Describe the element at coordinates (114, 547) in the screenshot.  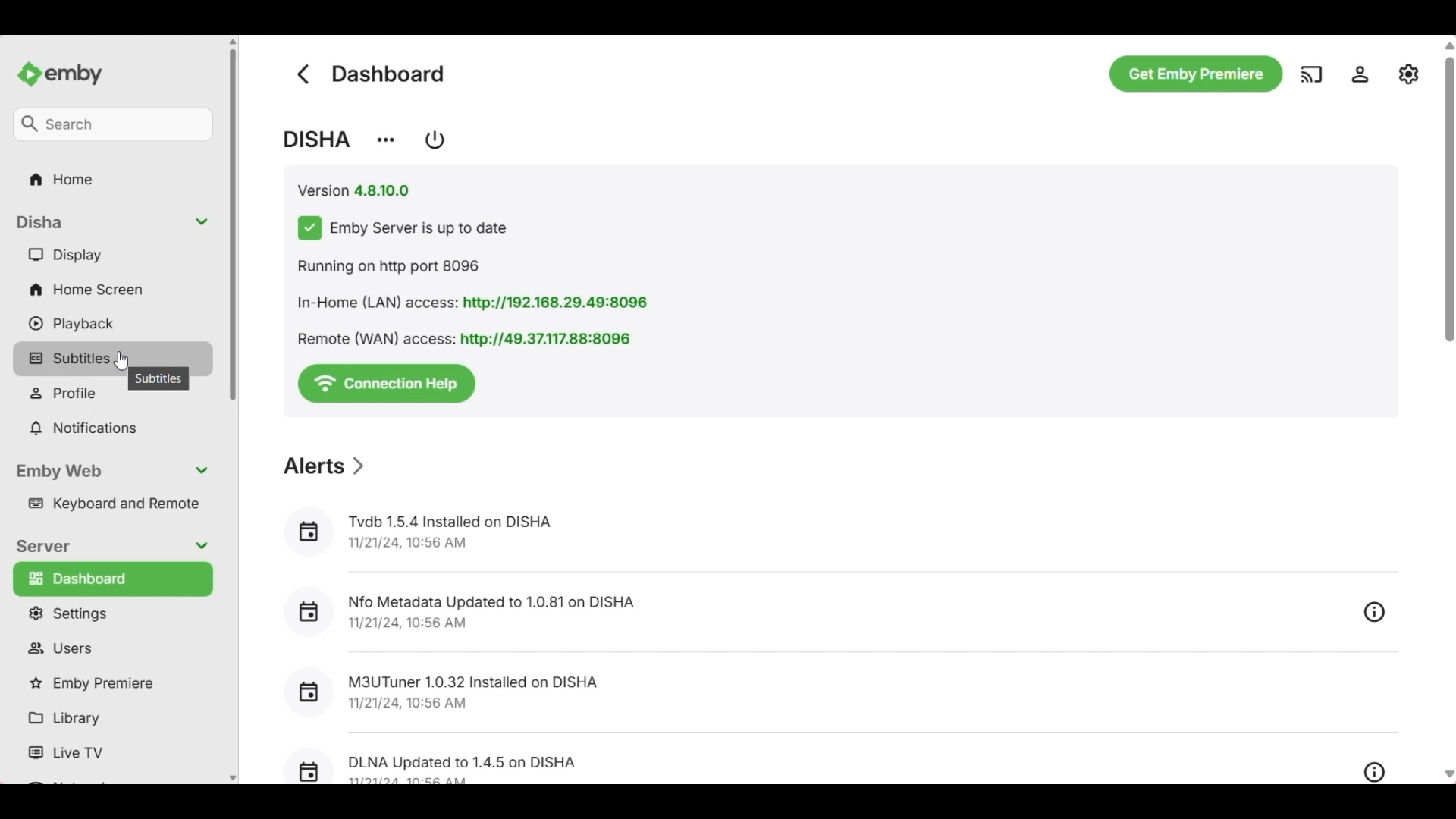
I see `Collapse Server` at that location.